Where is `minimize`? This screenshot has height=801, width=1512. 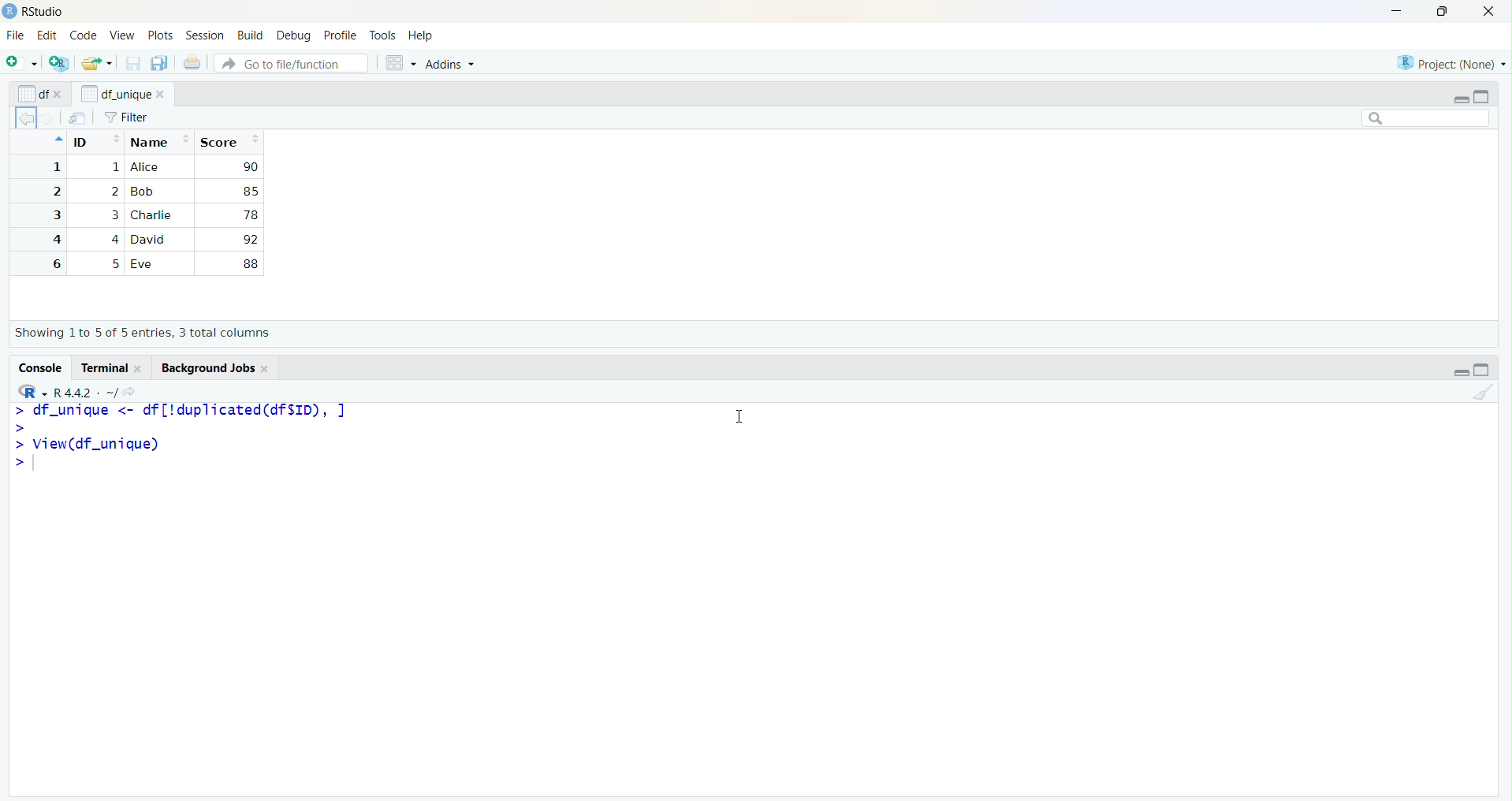 minimize is located at coordinates (1396, 13).